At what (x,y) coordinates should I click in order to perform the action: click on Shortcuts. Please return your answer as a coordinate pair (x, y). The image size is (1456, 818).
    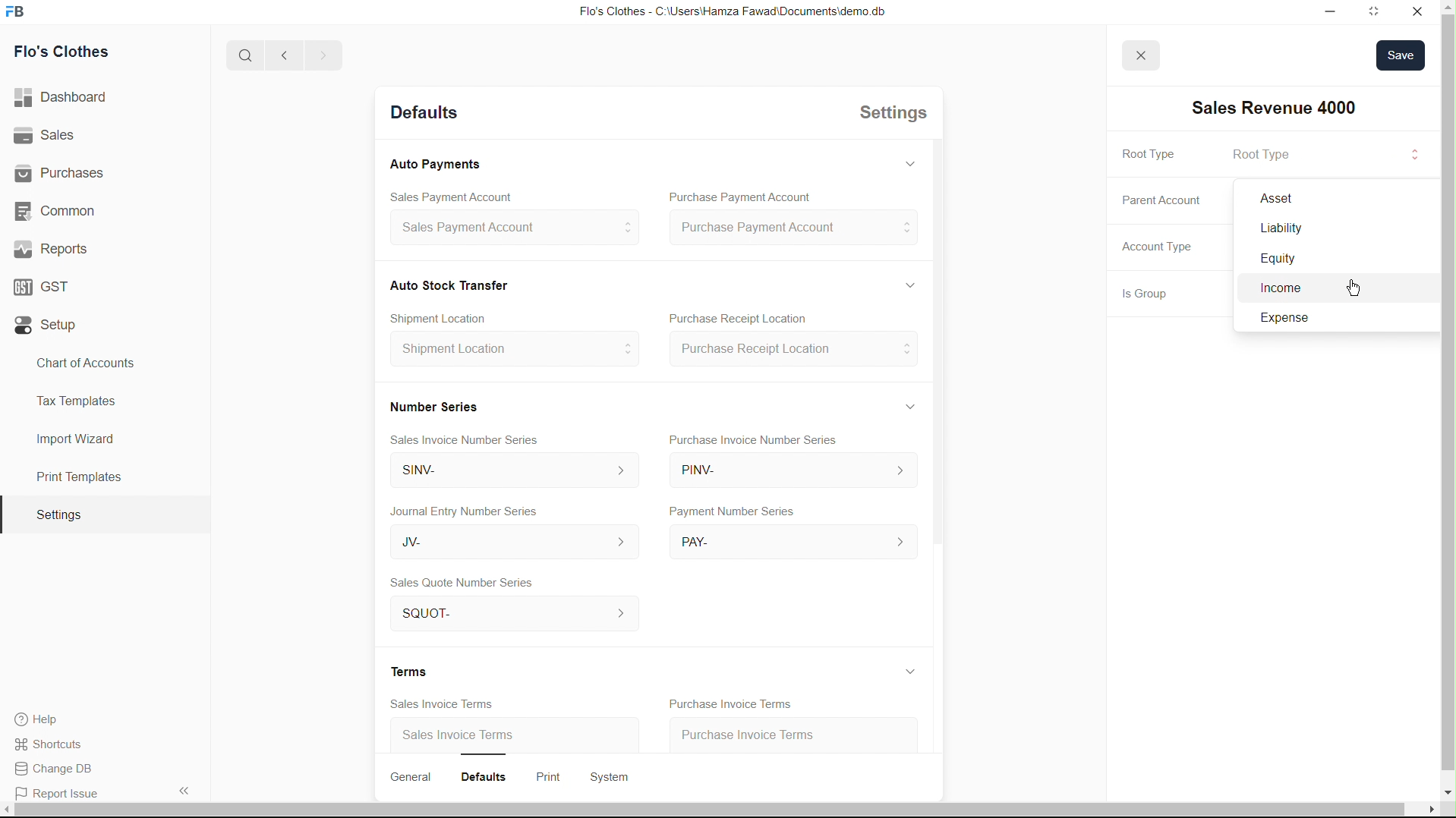
    Looking at the image, I should click on (57, 743).